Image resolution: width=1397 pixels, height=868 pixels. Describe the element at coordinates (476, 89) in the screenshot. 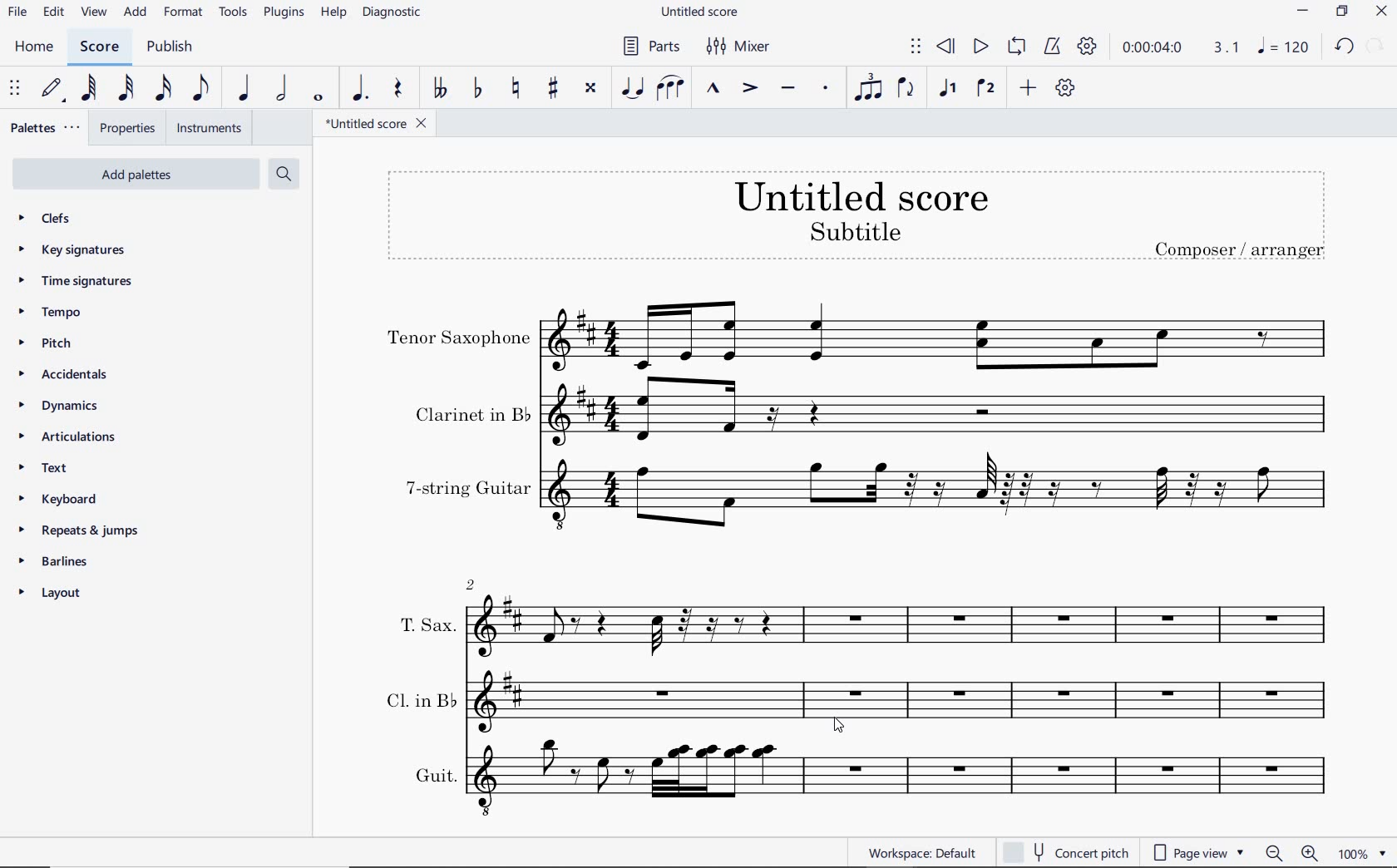

I see `TOGGLE FLAT` at that location.